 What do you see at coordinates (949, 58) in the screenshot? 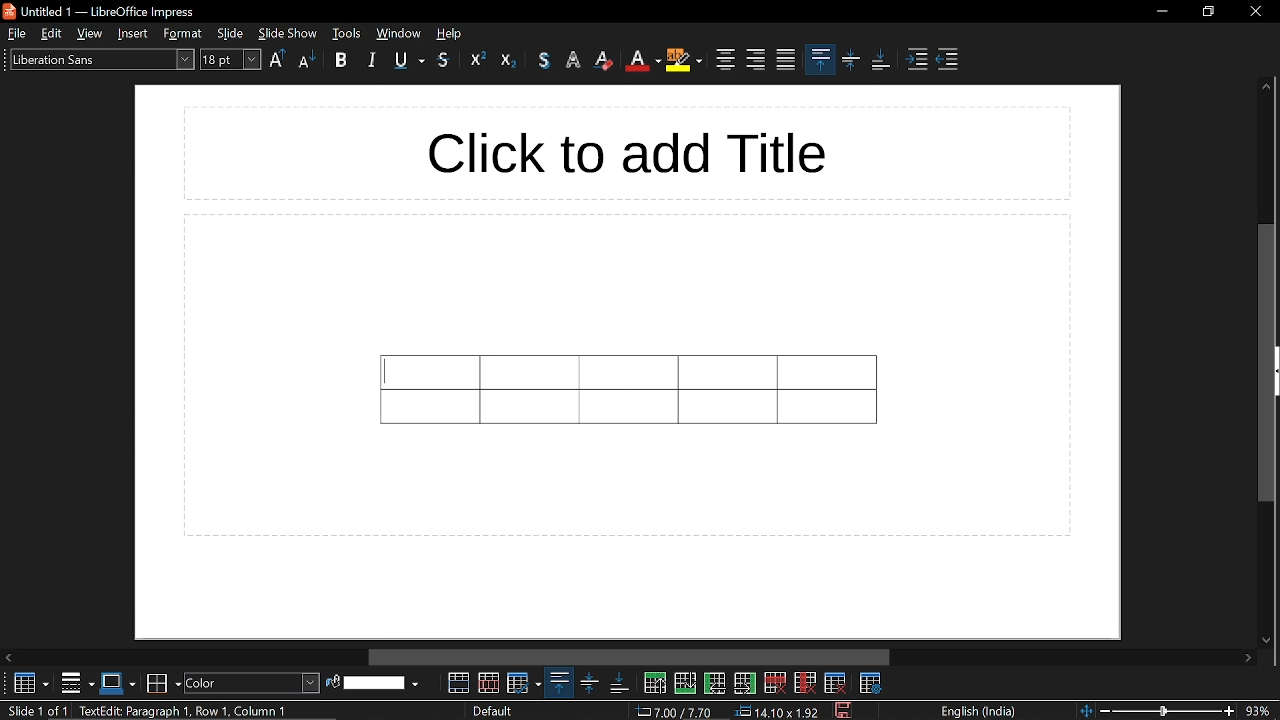
I see `decrease indent` at bounding box center [949, 58].